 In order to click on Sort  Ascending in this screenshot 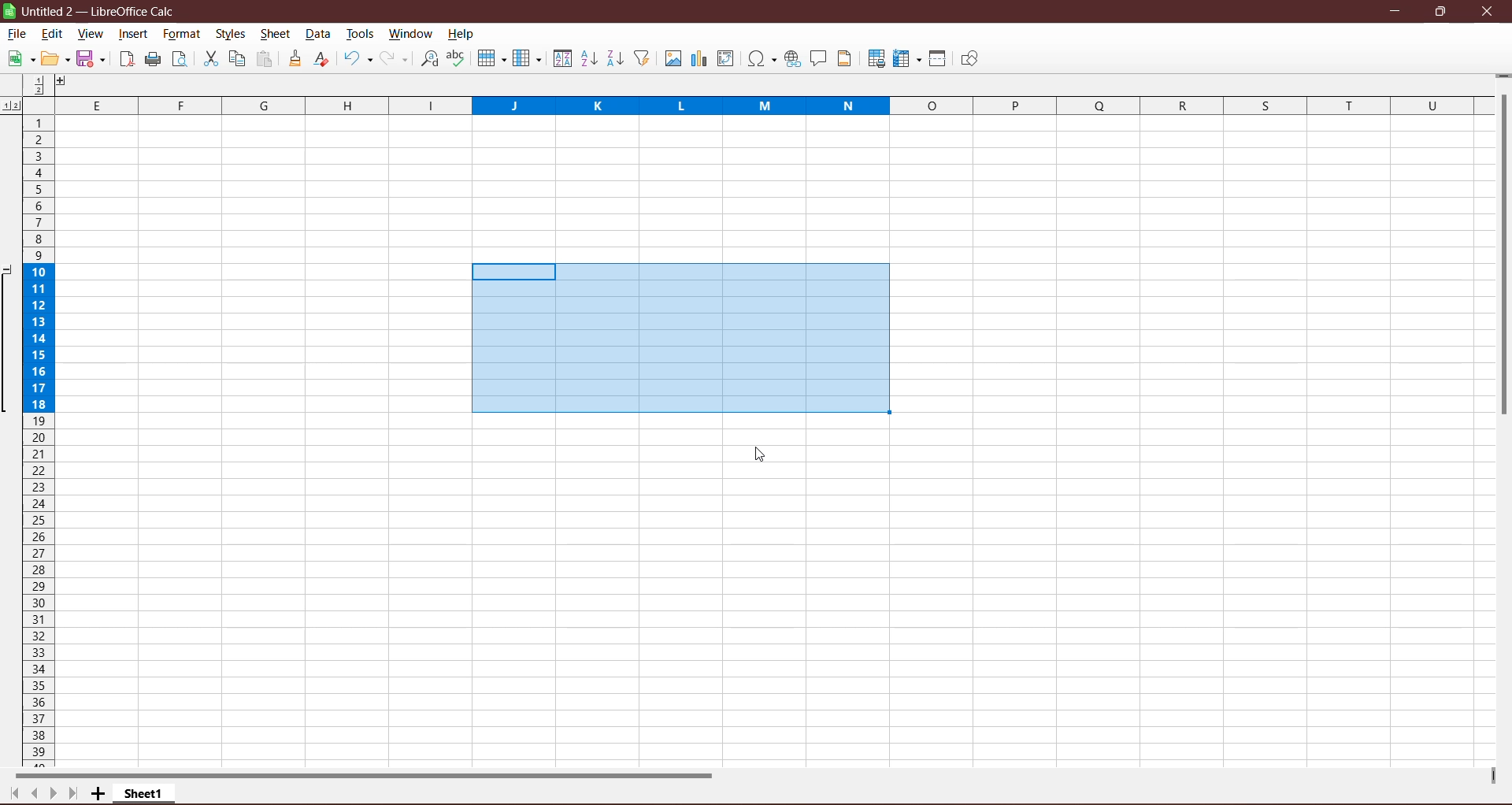, I will do `click(588, 58)`.